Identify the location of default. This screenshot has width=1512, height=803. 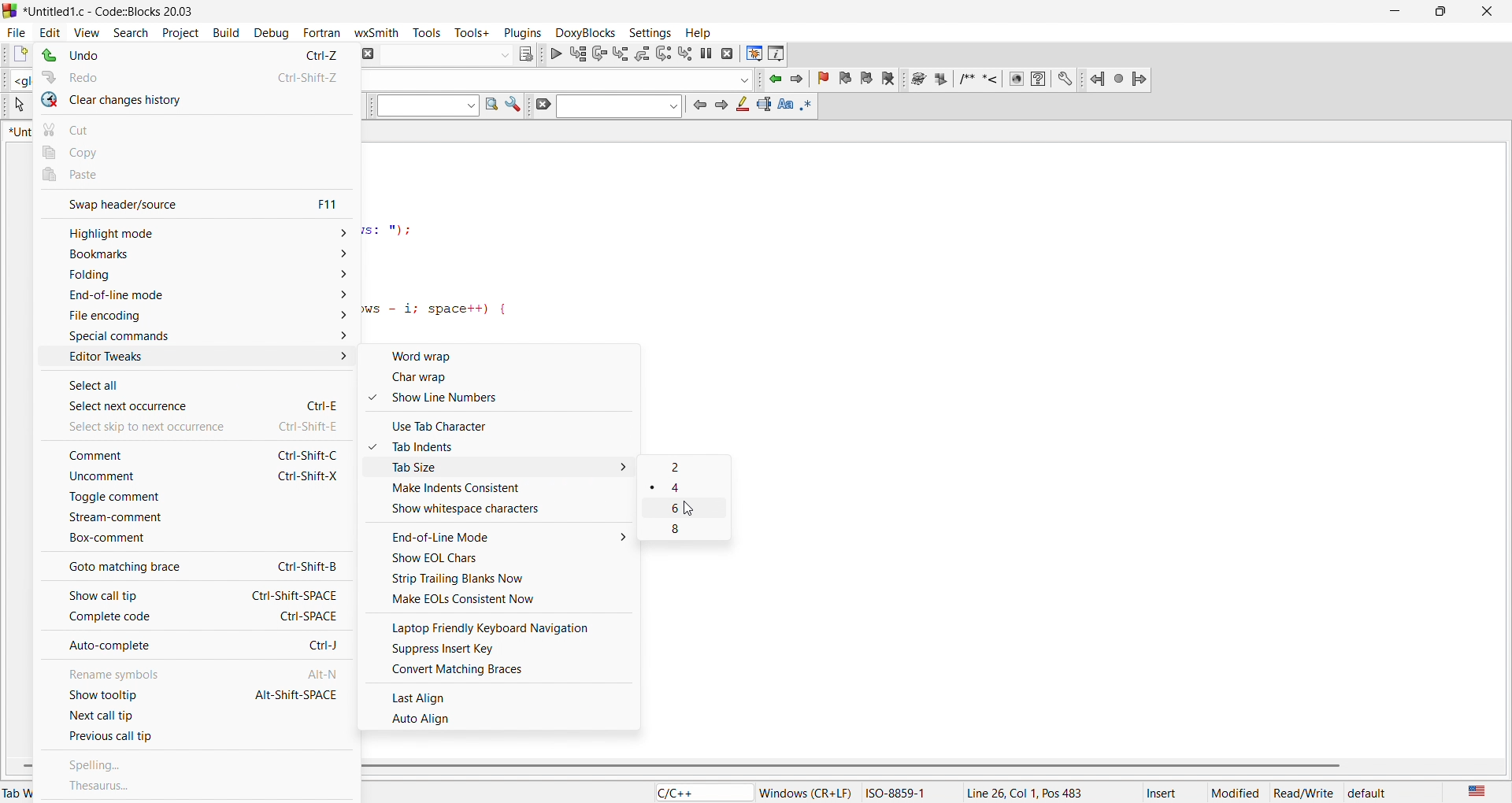
(1386, 790).